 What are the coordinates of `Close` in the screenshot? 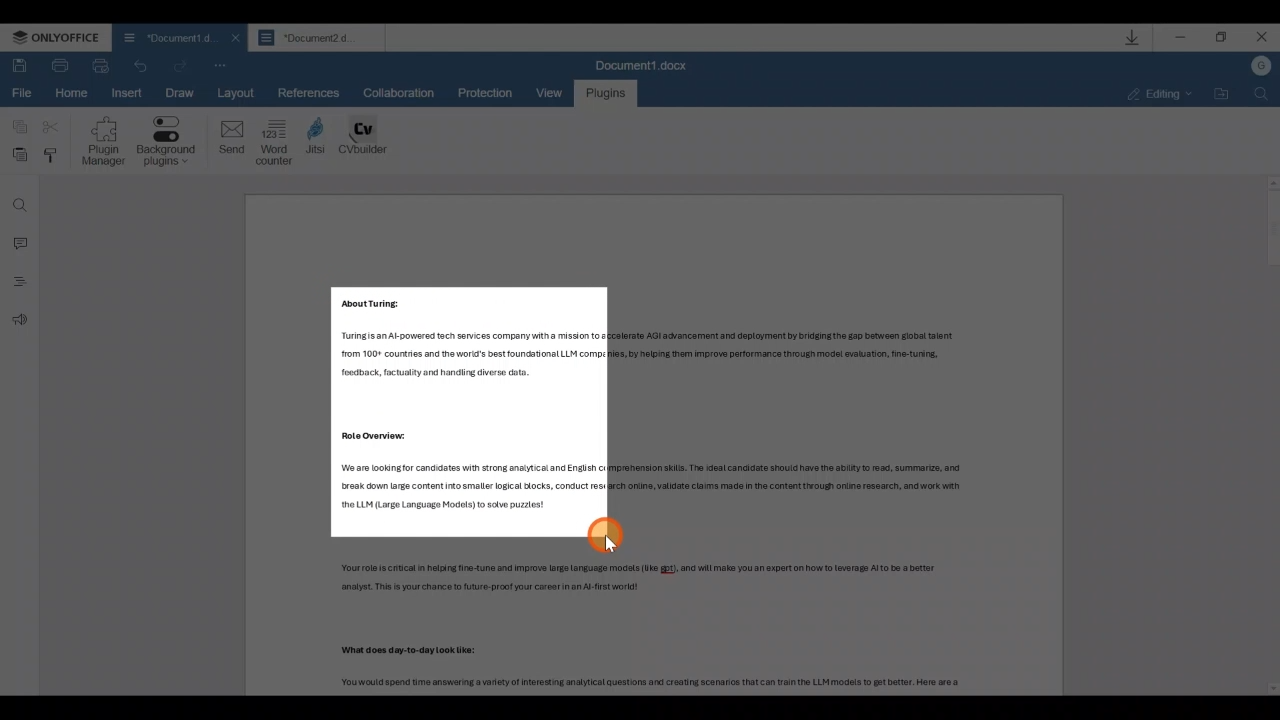 It's located at (1262, 40).